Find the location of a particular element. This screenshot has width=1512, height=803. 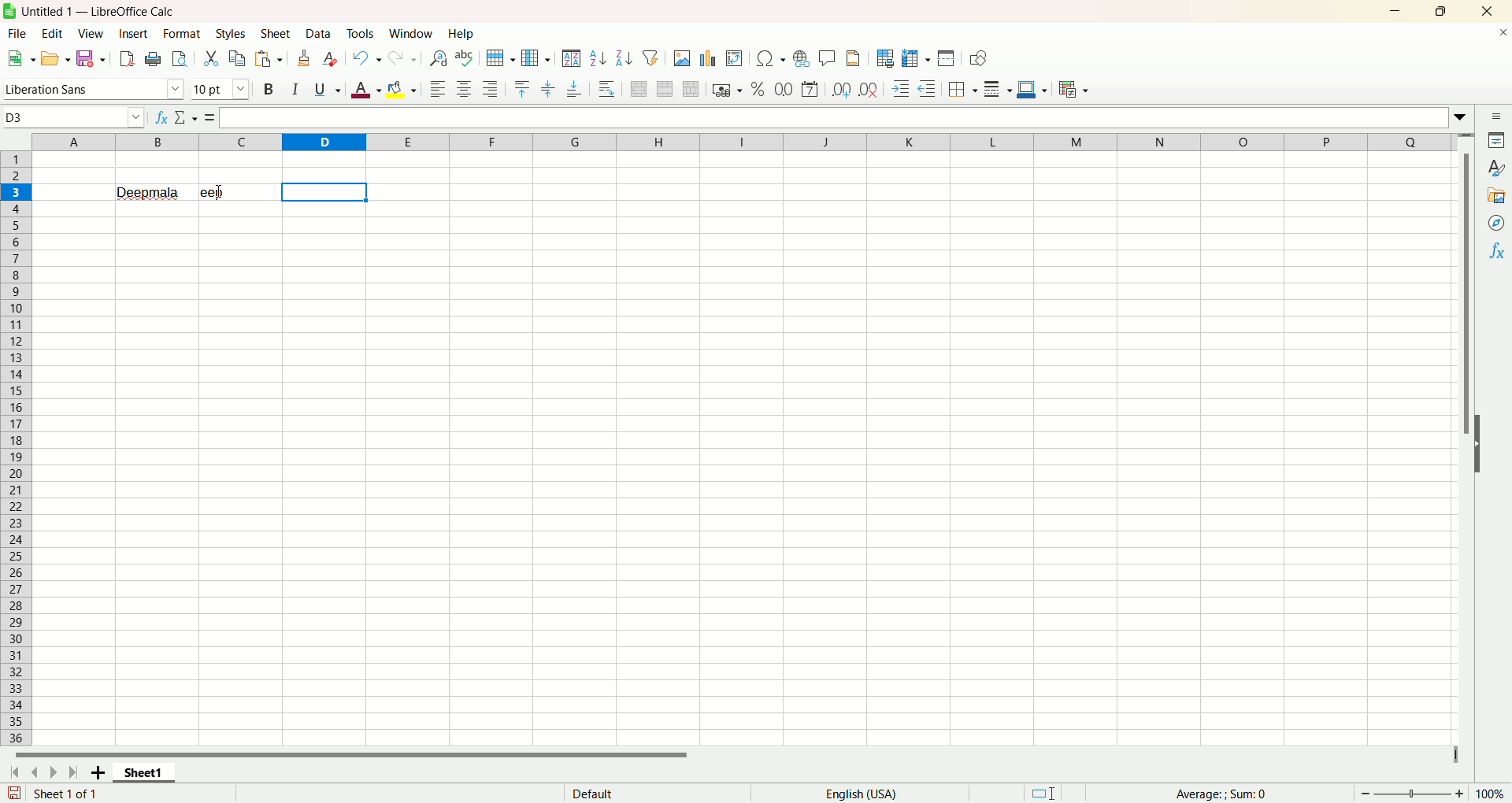

Save is located at coordinates (91, 57).